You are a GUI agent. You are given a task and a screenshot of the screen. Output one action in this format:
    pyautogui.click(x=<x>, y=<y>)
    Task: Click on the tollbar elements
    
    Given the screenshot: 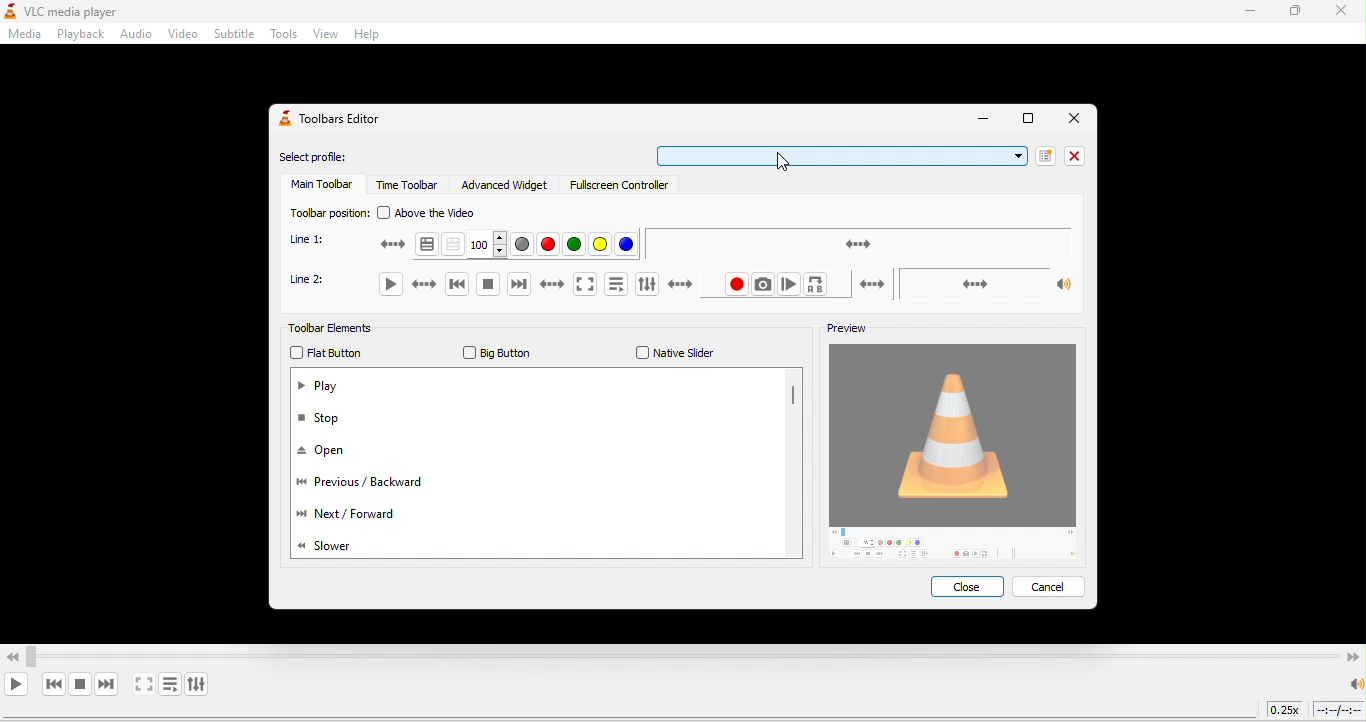 What is the action you would take?
    pyautogui.click(x=342, y=330)
    